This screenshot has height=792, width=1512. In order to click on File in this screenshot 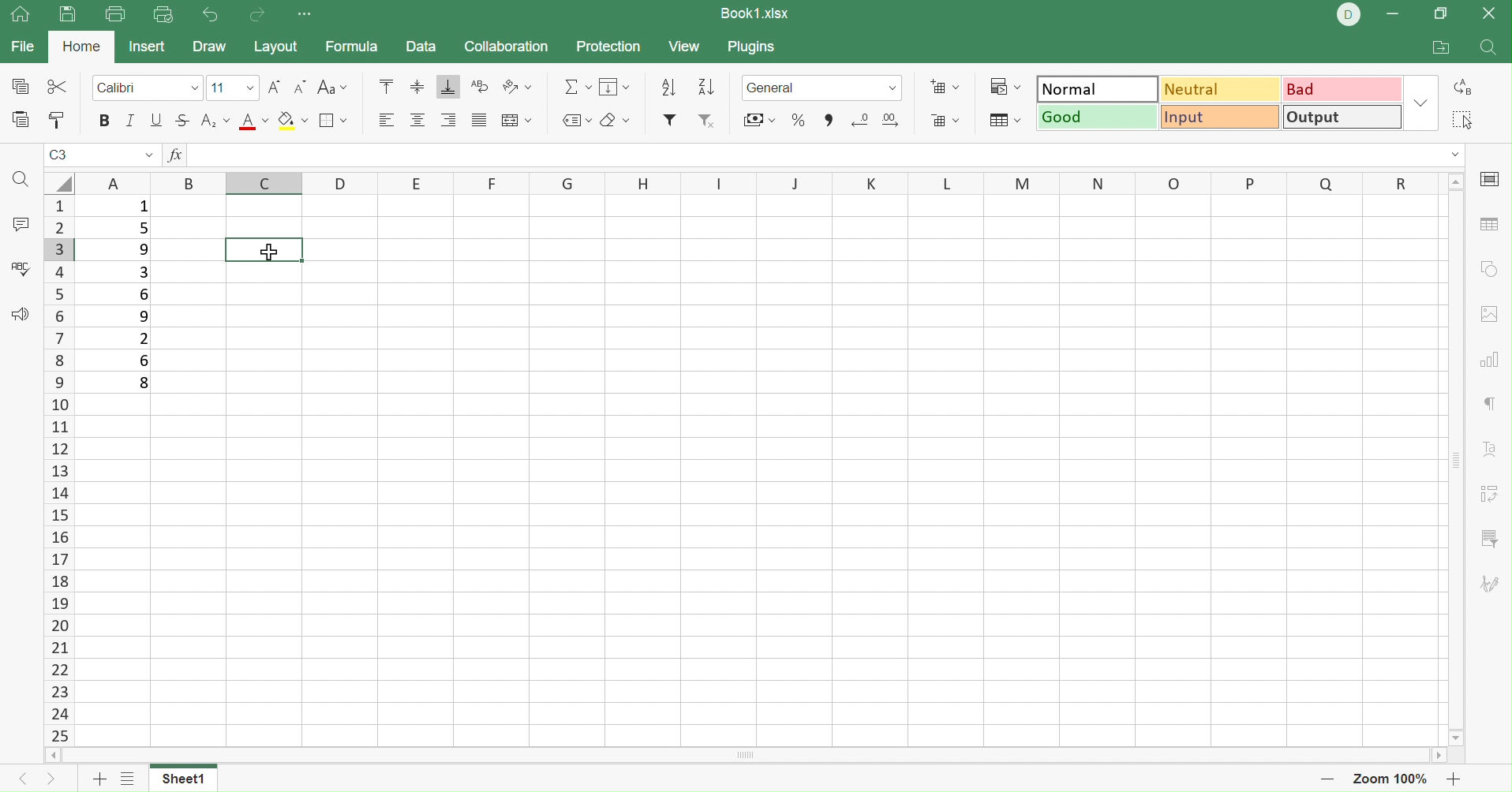, I will do `click(23, 47)`.